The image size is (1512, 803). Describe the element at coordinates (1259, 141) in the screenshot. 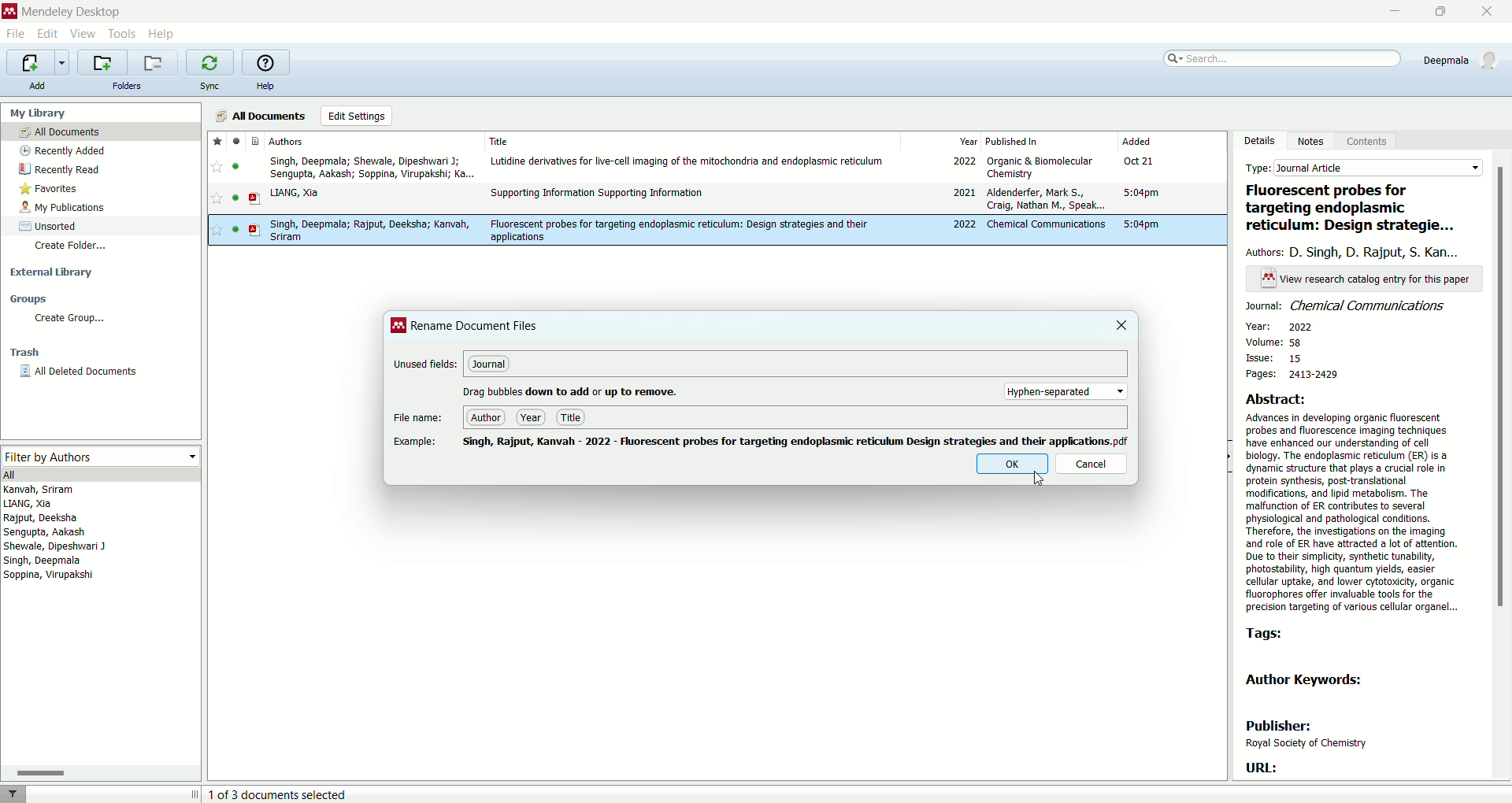

I see `details` at that location.